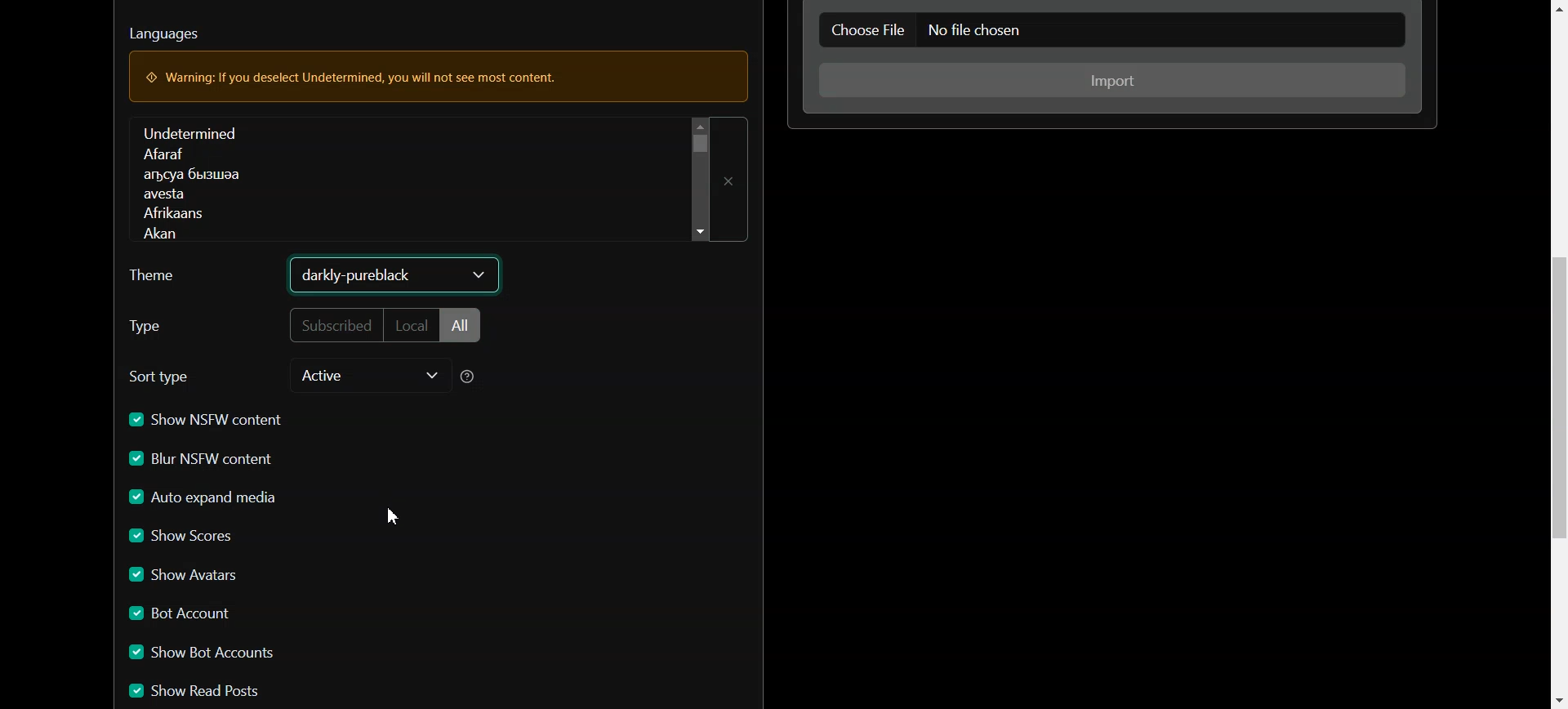 The height and width of the screenshot is (709, 1568). I want to click on Choose File, so click(866, 29).